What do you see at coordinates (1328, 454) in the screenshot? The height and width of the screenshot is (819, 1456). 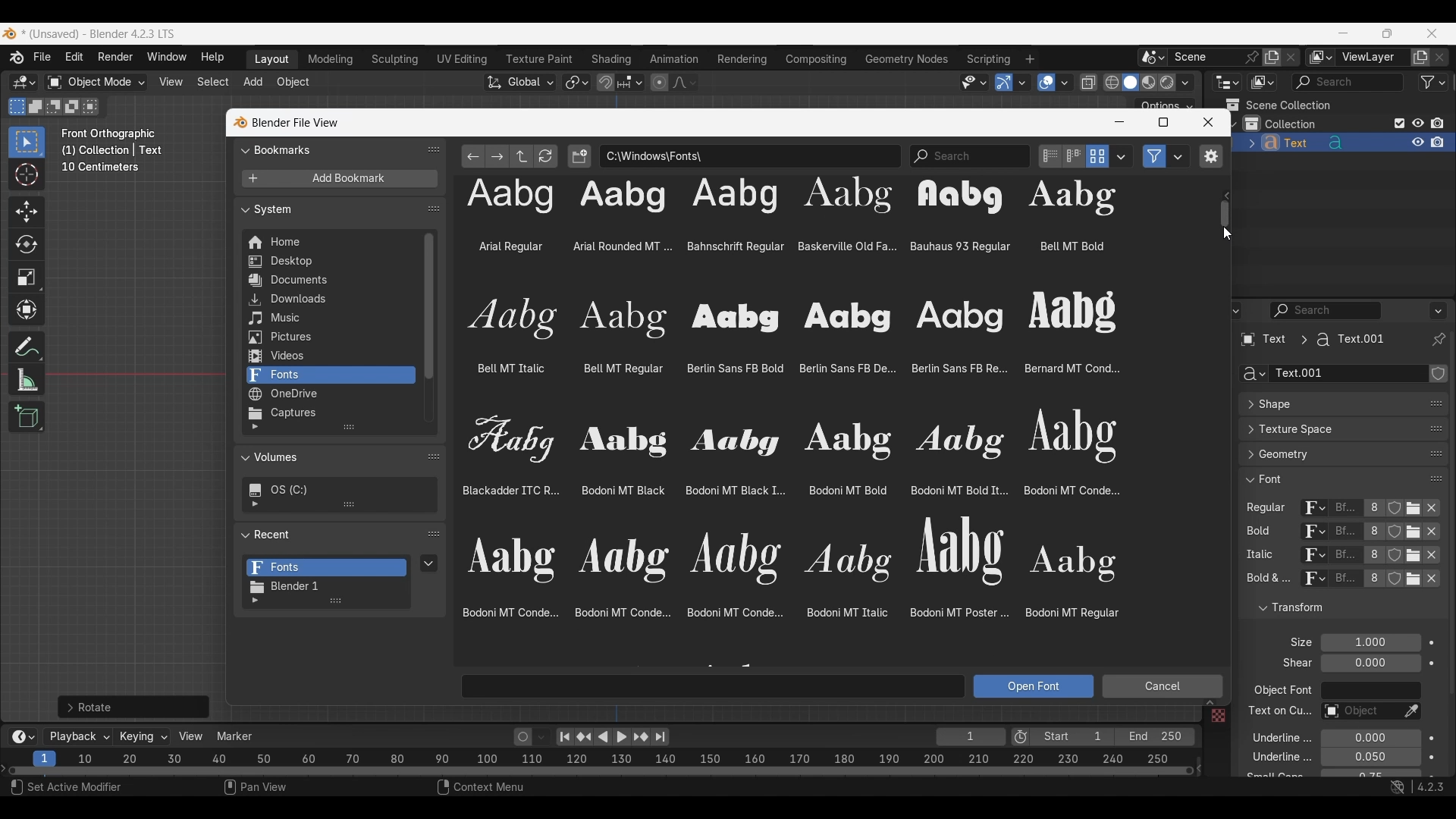 I see `Click to expand Geometry` at bounding box center [1328, 454].